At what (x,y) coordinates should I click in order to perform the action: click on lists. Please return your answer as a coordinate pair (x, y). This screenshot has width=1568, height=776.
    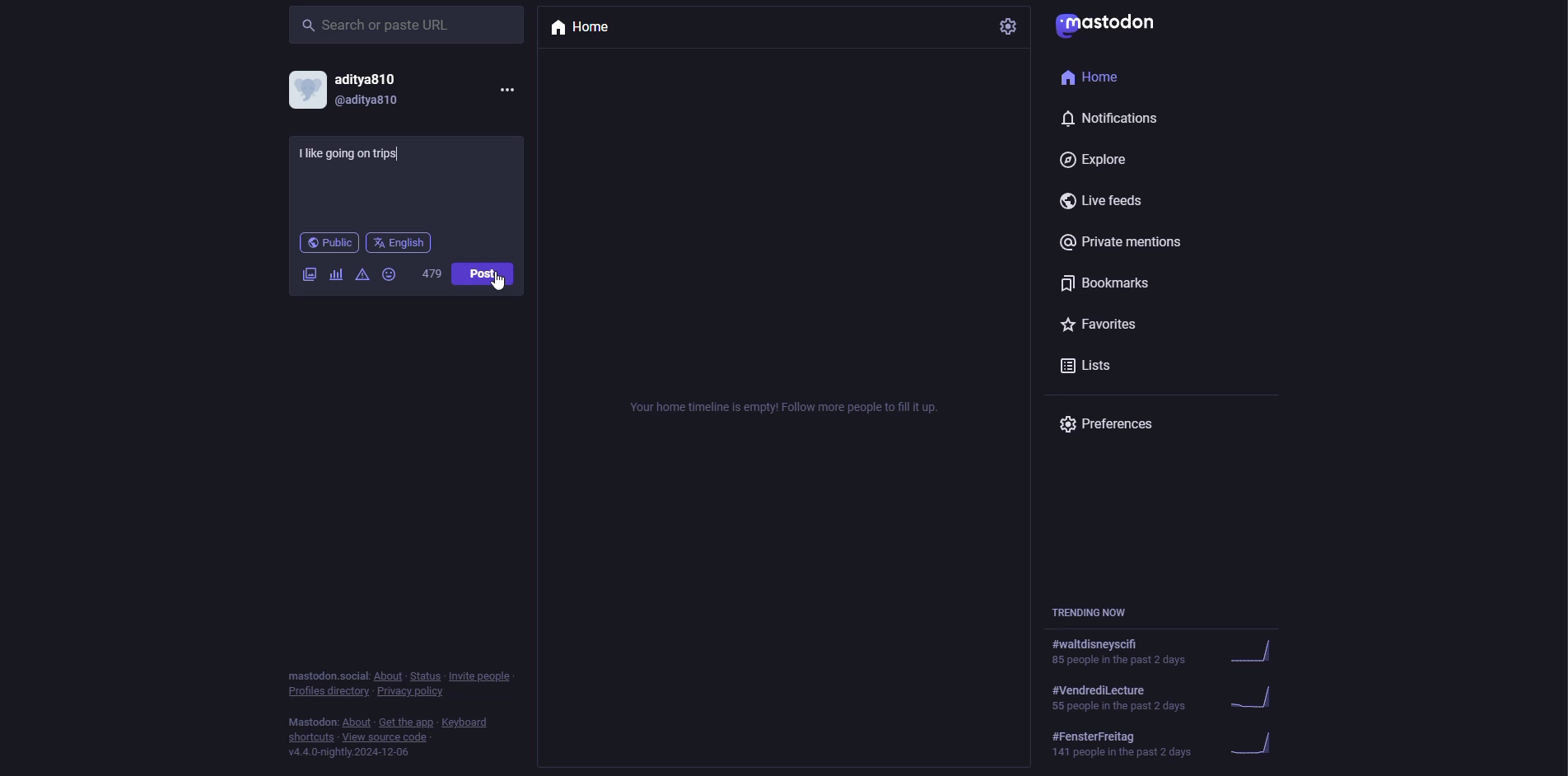
    Looking at the image, I should click on (1096, 367).